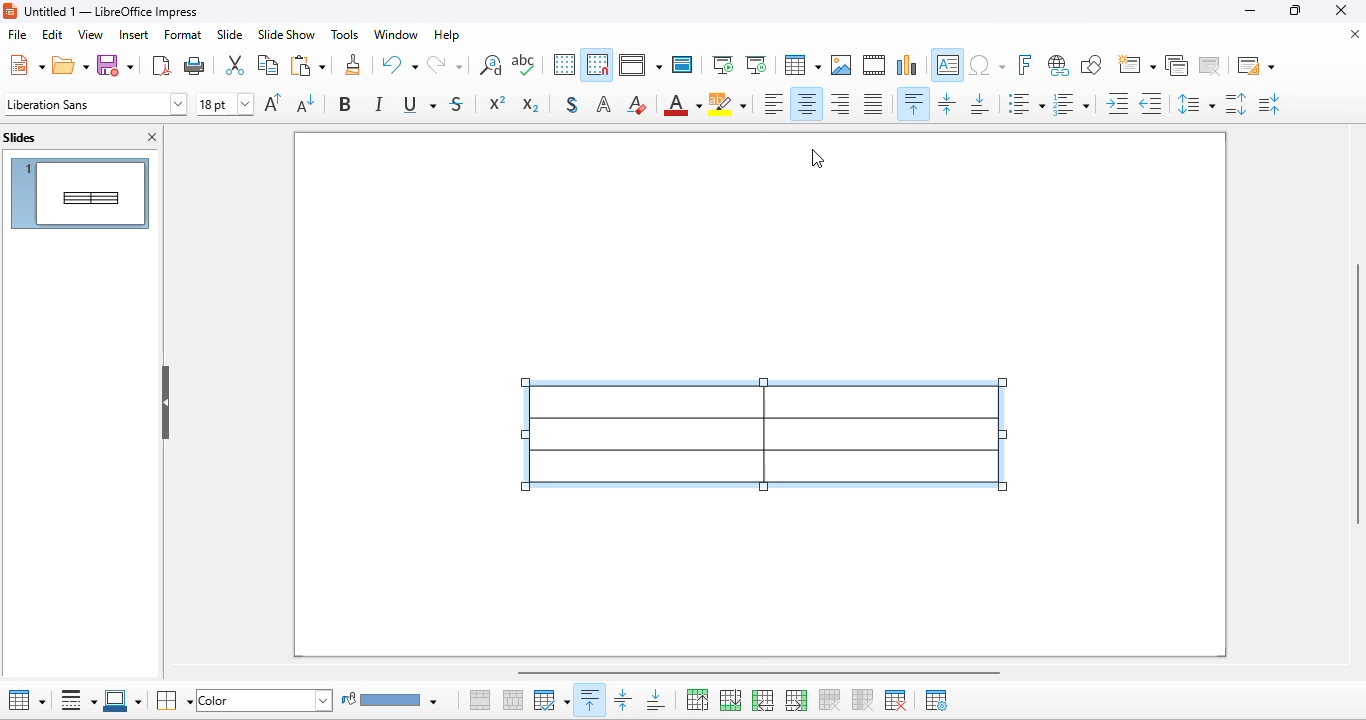  What do you see at coordinates (490, 64) in the screenshot?
I see `find and replace` at bounding box center [490, 64].